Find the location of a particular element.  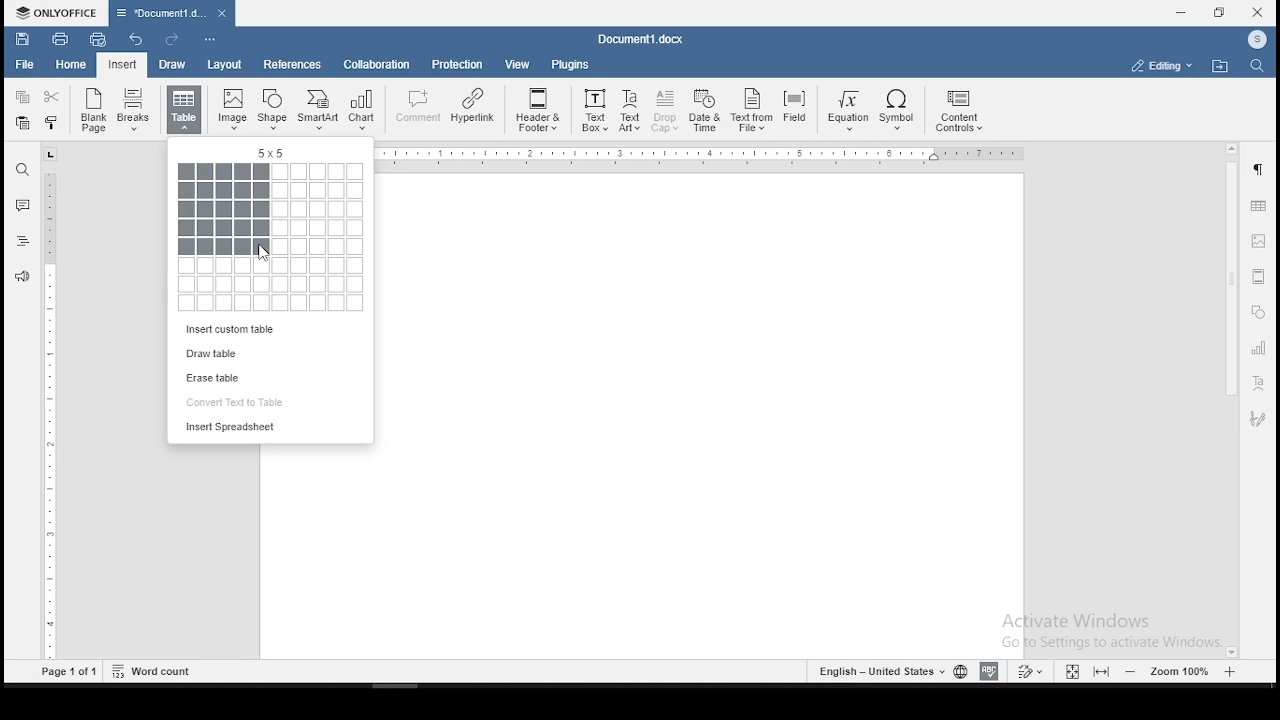

feedback and support is located at coordinates (23, 275).